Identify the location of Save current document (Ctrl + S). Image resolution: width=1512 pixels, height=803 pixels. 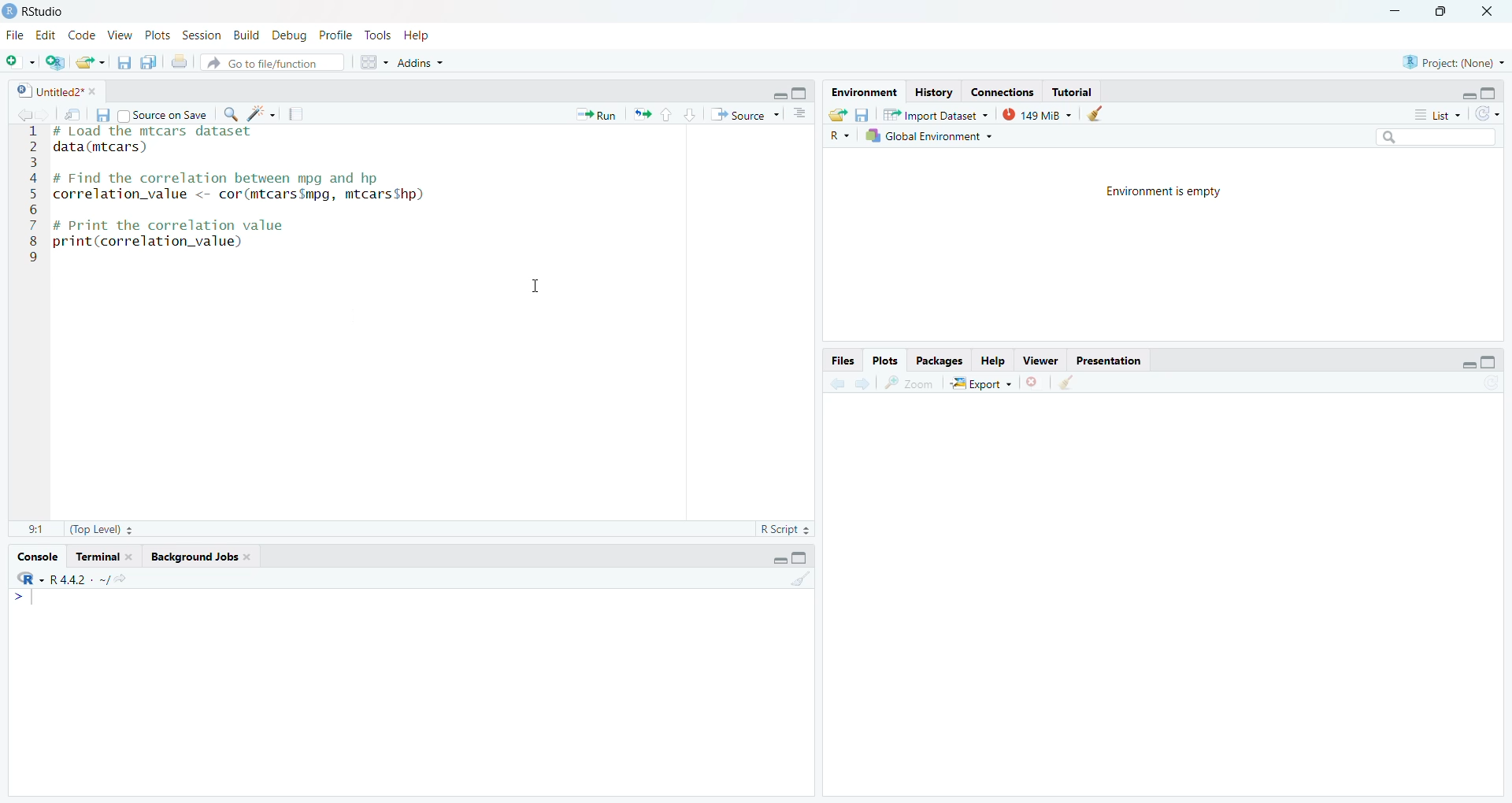
(106, 113).